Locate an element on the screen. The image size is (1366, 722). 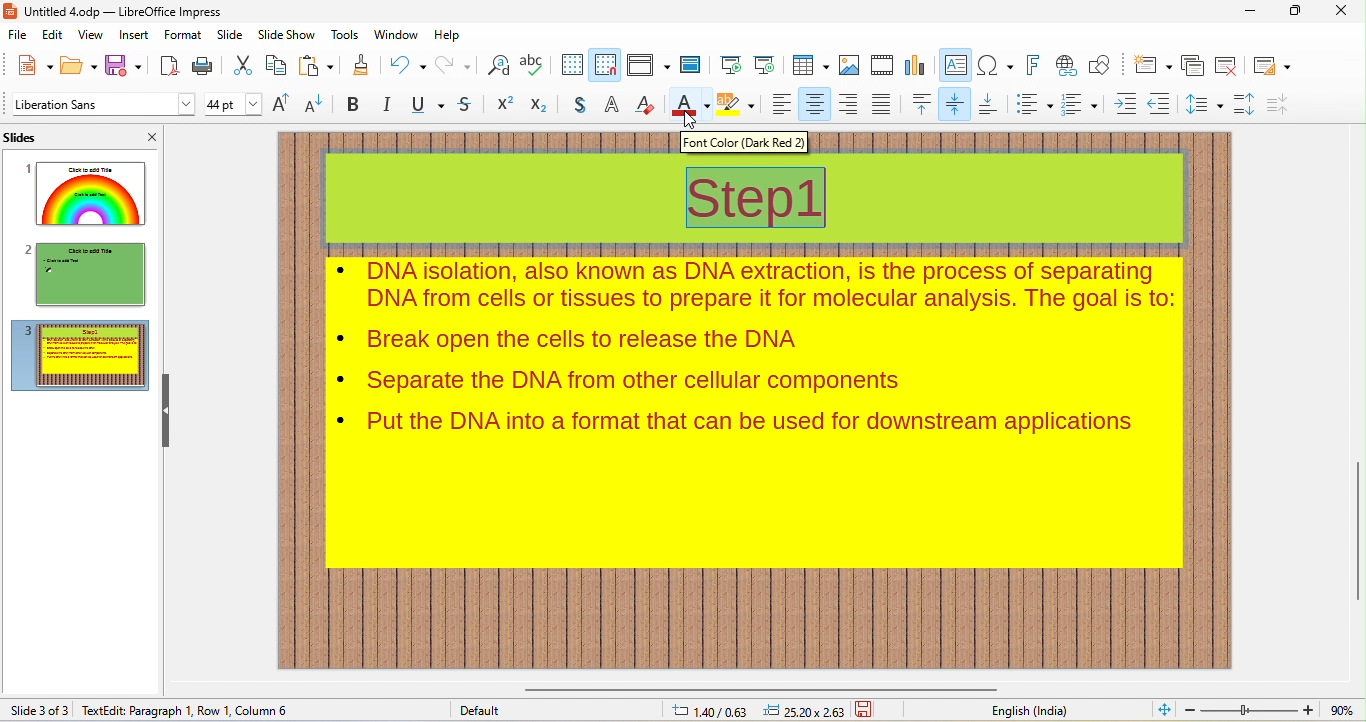
shadow is located at coordinates (581, 106).